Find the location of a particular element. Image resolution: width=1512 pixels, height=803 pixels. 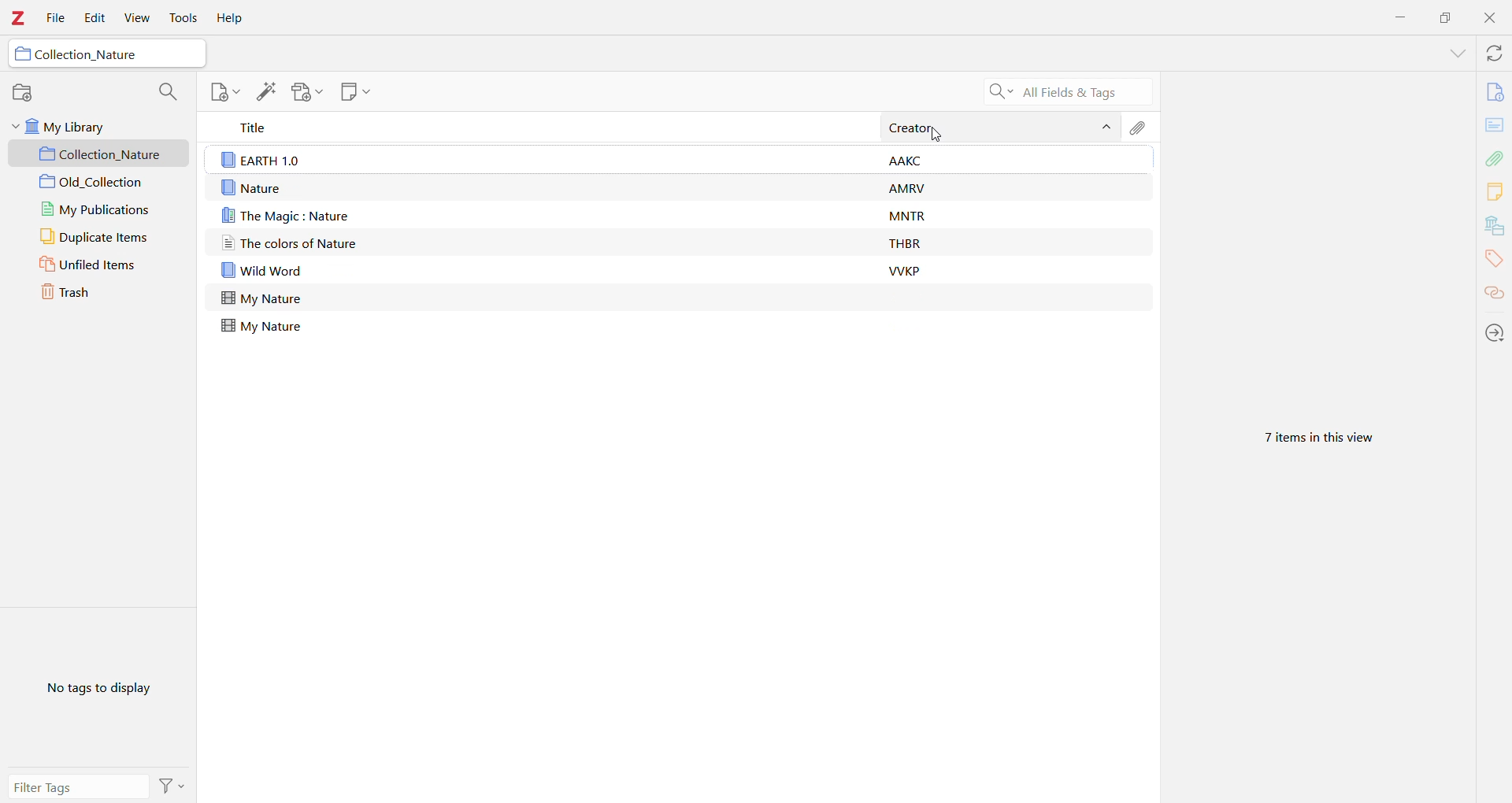

Collapse Section is located at coordinates (14, 126).